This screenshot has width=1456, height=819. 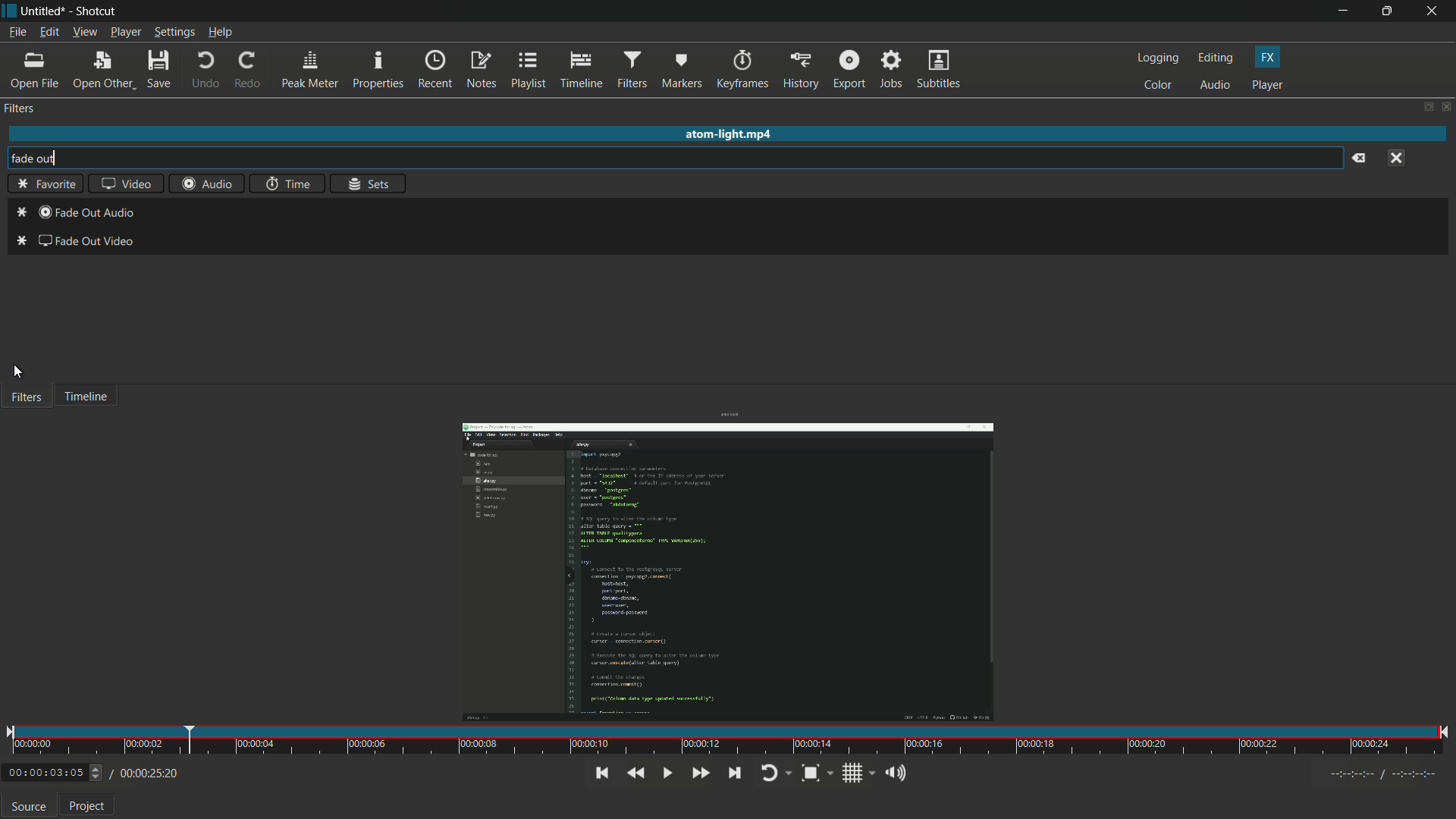 What do you see at coordinates (19, 108) in the screenshot?
I see `filters` at bounding box center [19, 108].